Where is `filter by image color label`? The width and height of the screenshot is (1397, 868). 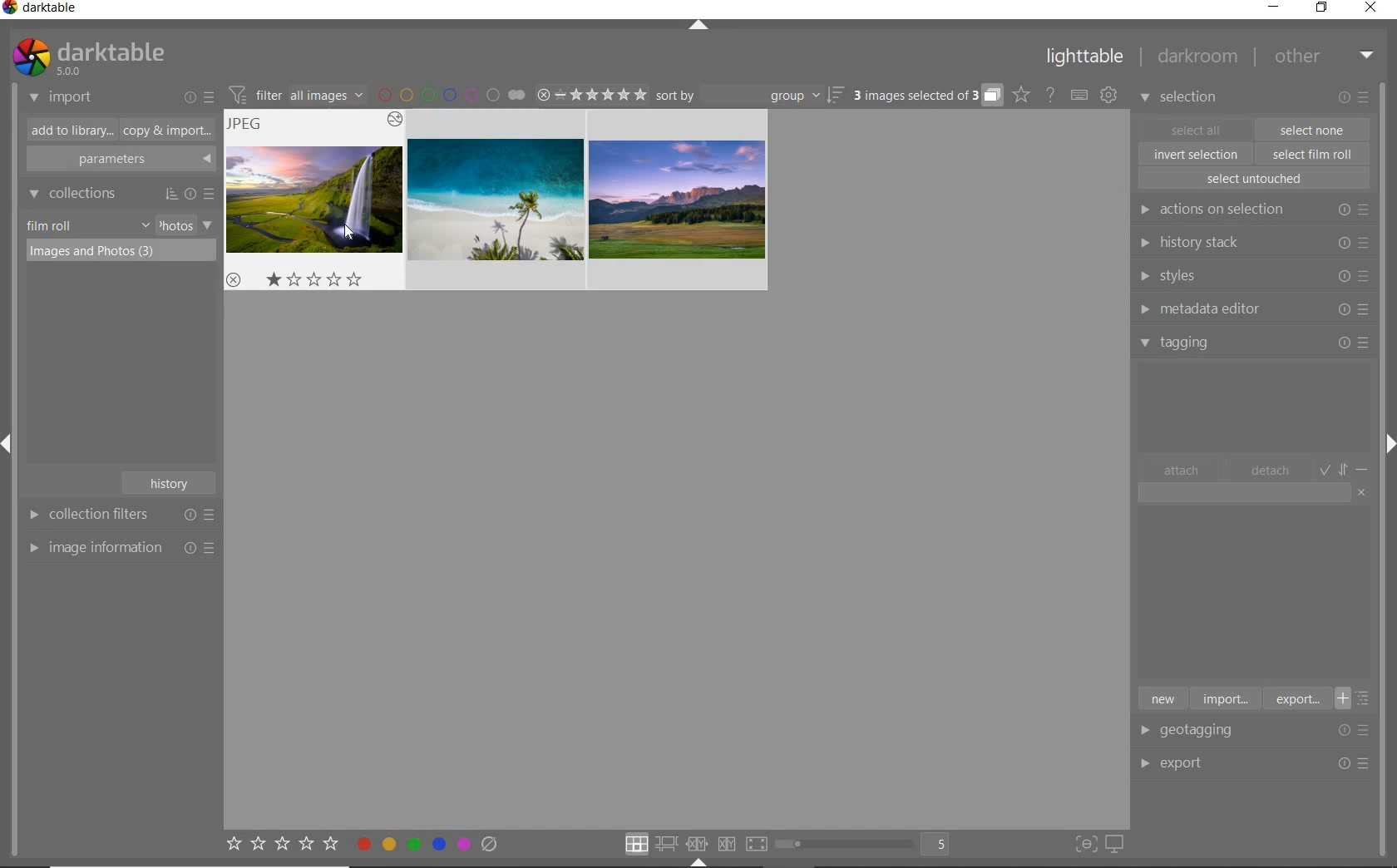
filter by image color label is located at coordinates (451, 94).